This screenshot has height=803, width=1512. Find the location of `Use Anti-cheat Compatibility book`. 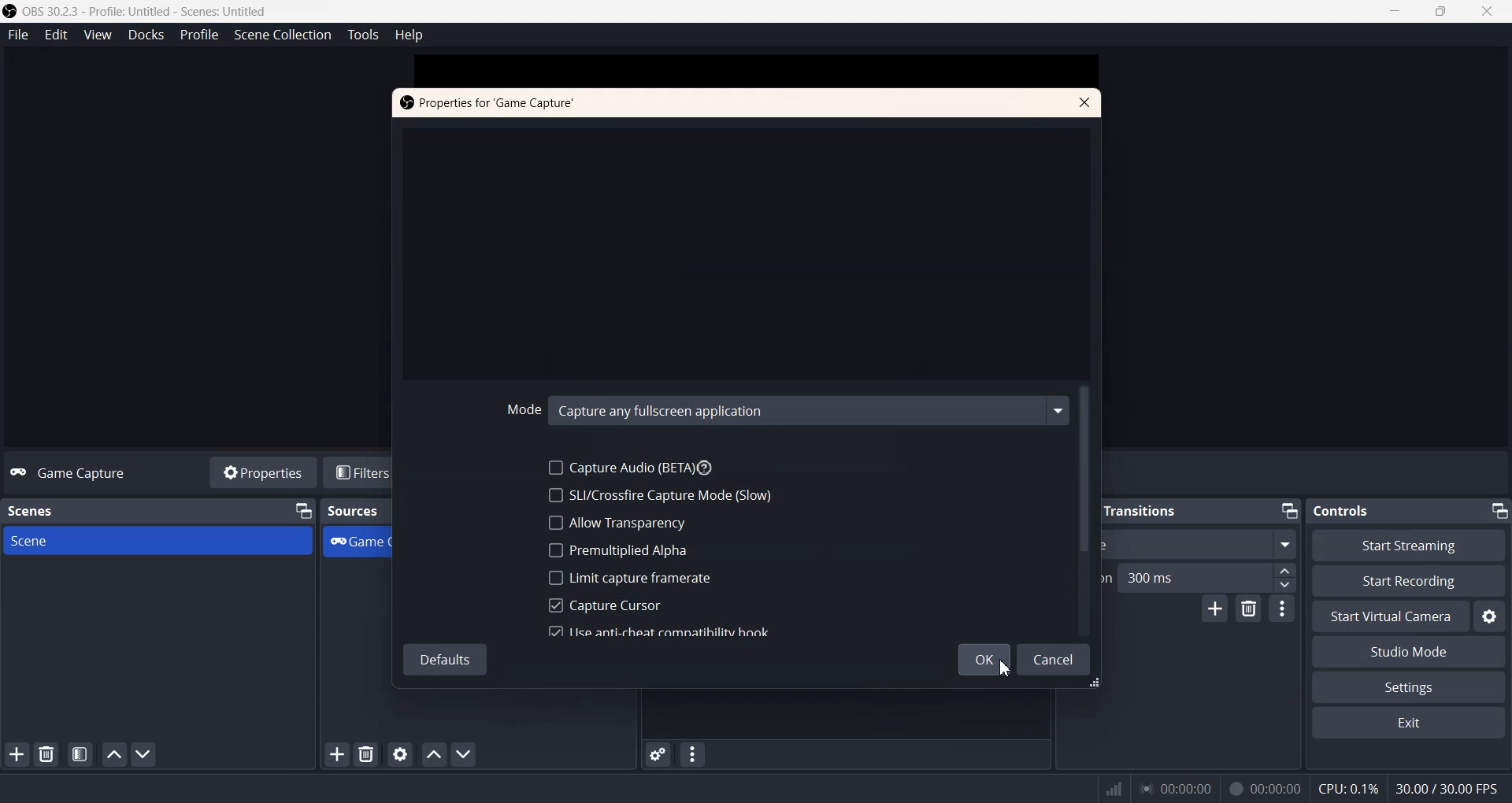

Use Anti-cheat Compatibility book is located at coordinates (657, 632).